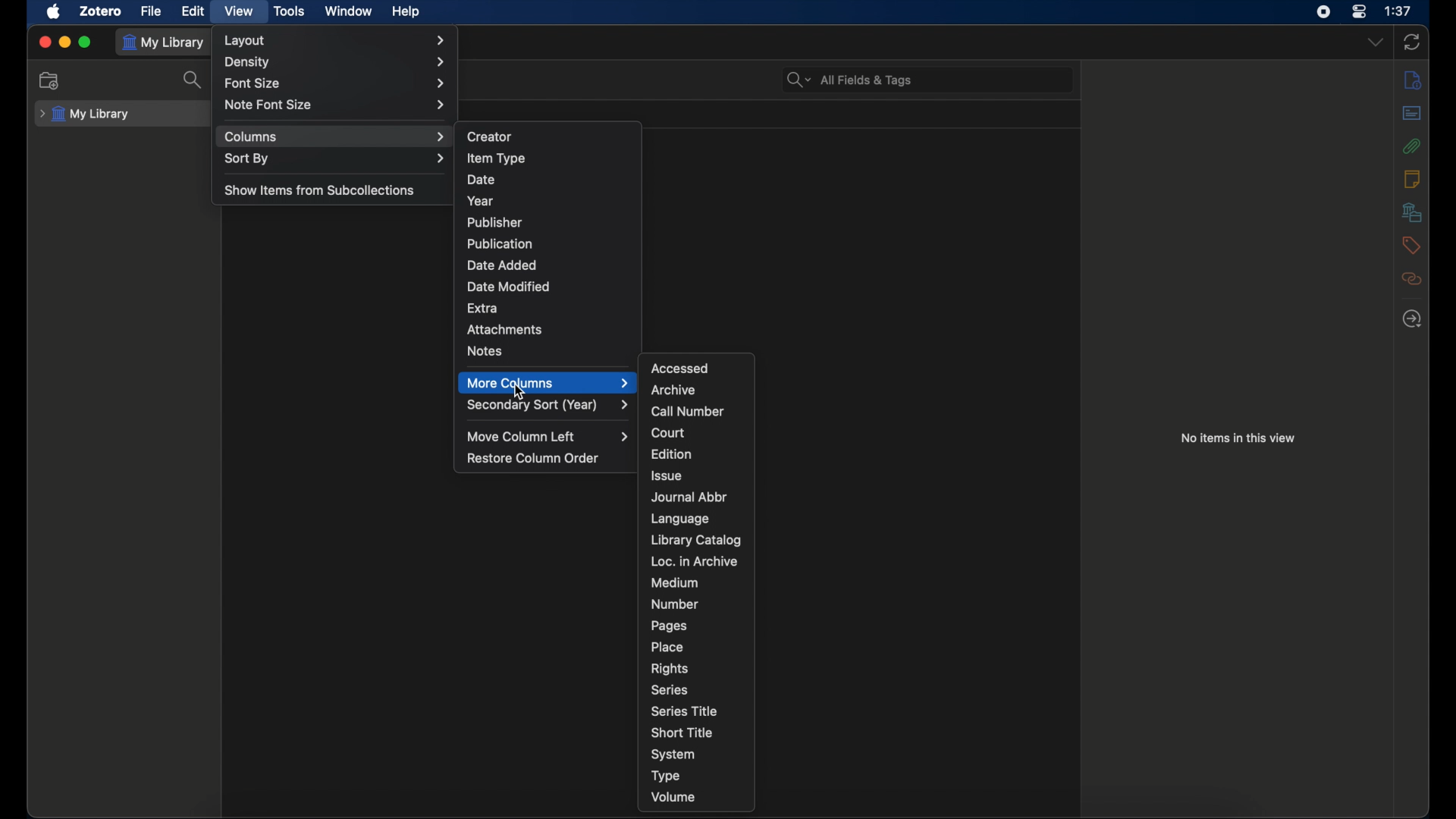  I want to click on call number, so click(686, 412).